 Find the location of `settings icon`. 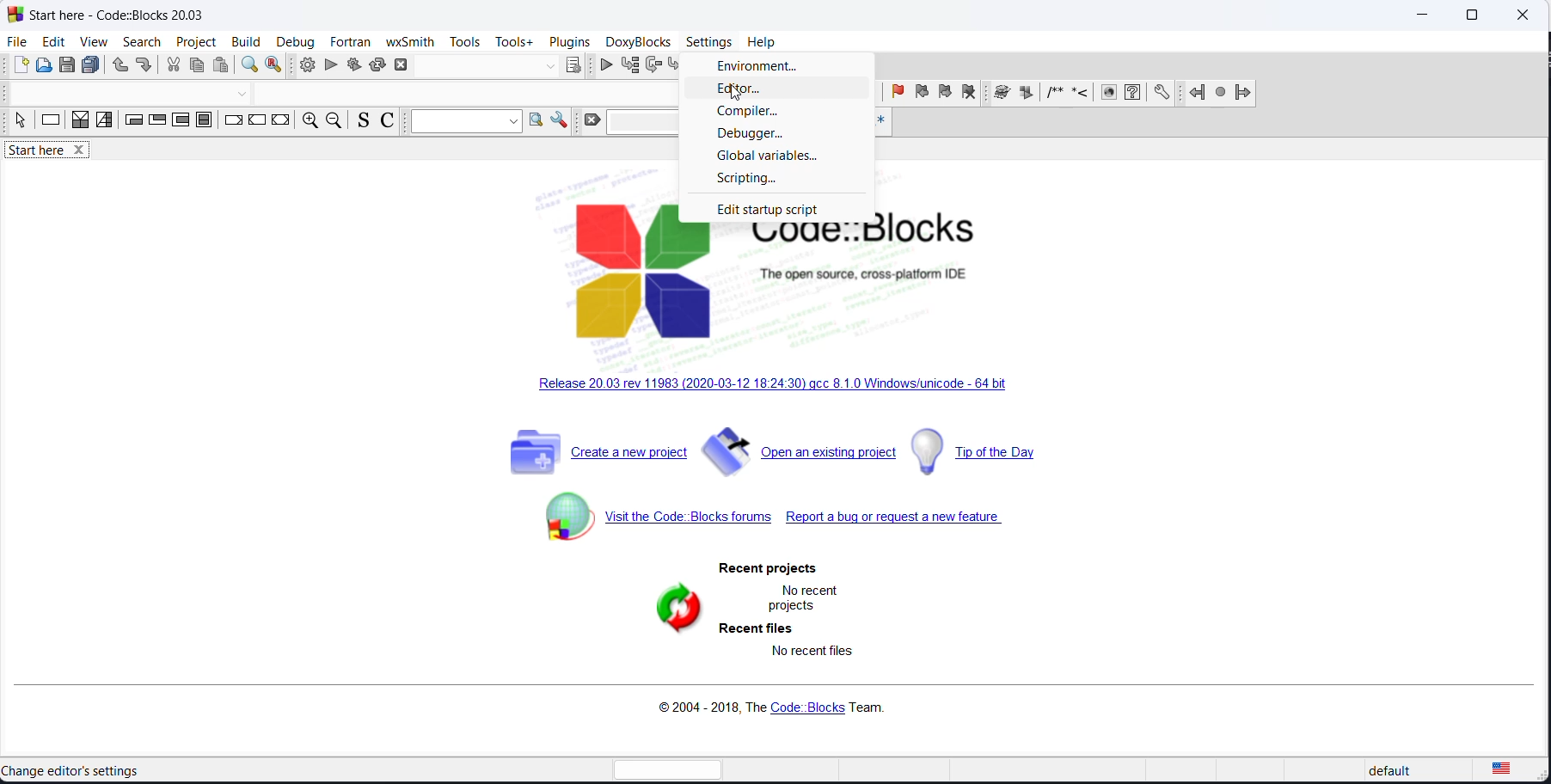

settings icon is located at coordinates (1162, 93).